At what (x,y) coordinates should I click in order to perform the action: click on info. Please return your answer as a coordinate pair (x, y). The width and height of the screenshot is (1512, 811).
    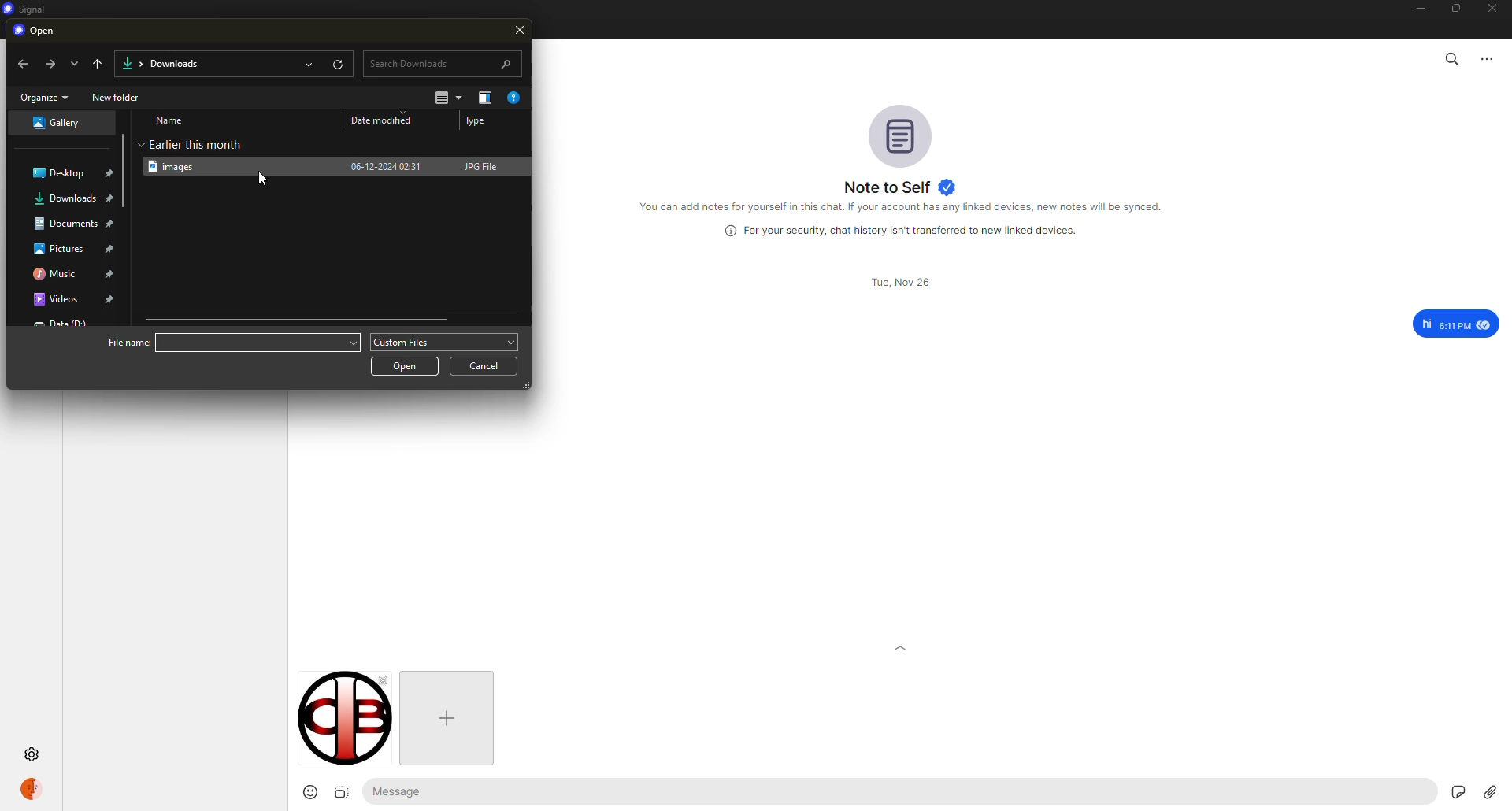
    Looking at the image, I should click on (906, 231).